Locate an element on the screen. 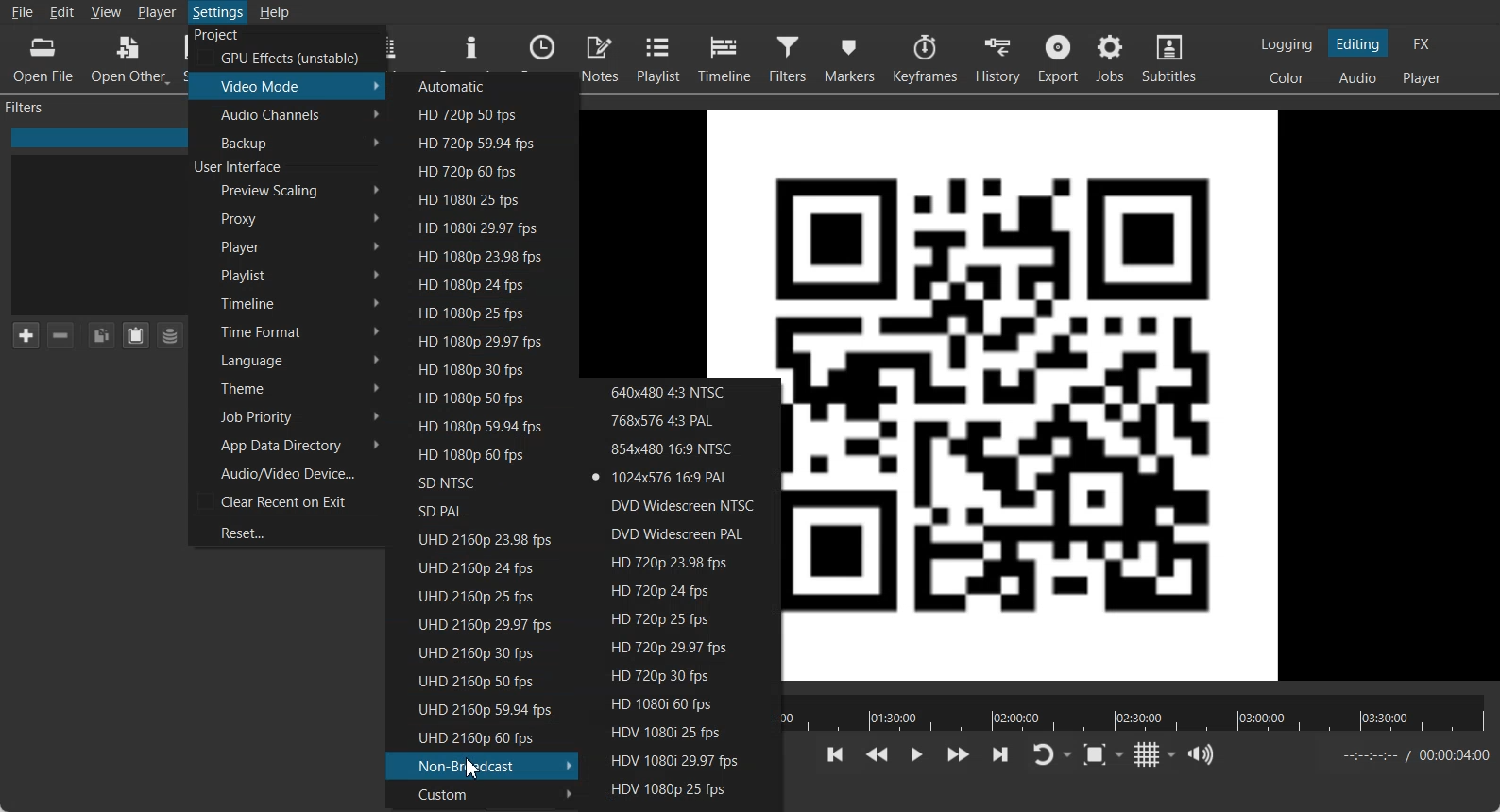 Image resolution: width=1500 pixels, height=812 pixels. Theme is located at coordinates (285, 387).